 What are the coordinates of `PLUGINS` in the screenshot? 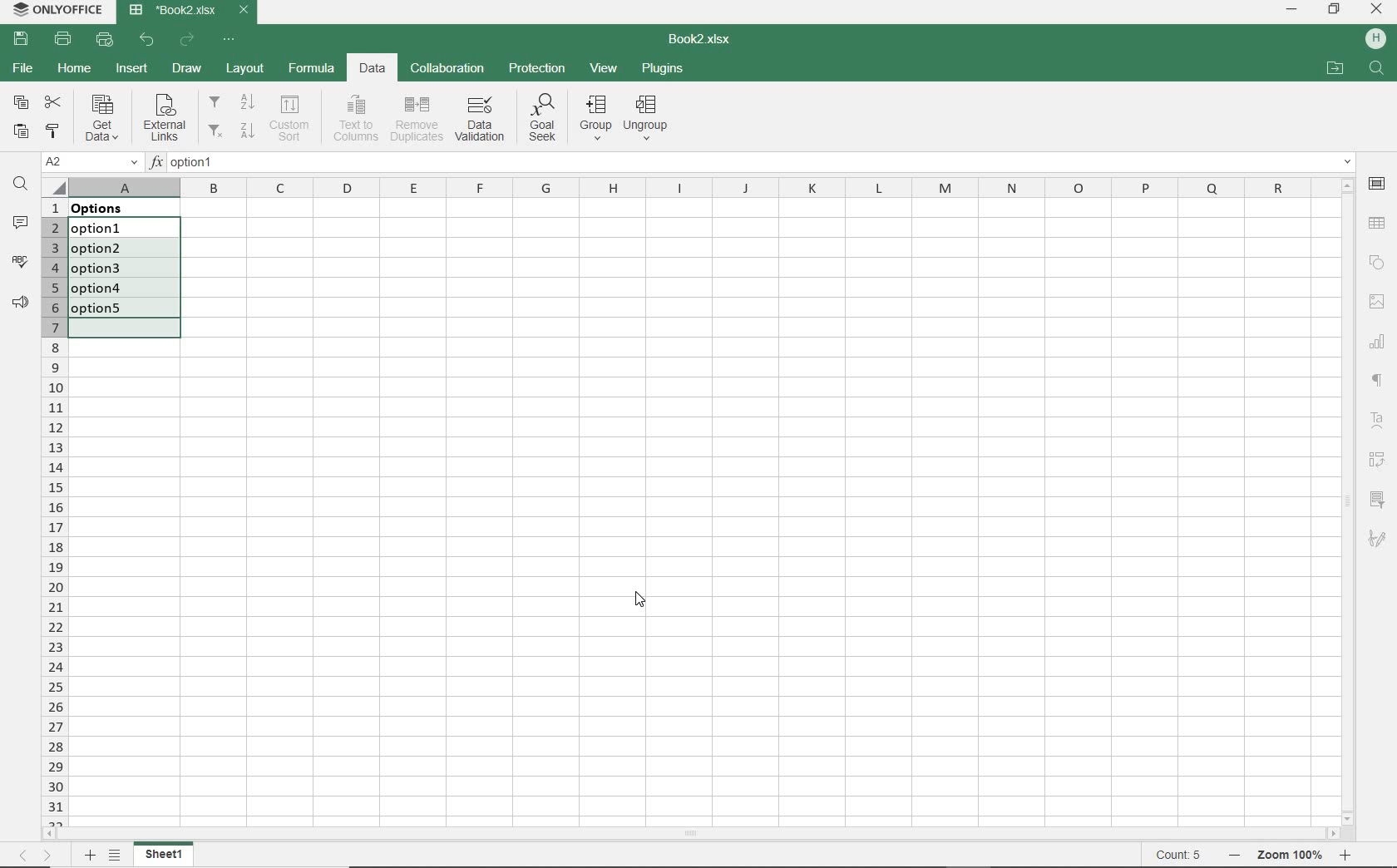 It's located at (663, 70).